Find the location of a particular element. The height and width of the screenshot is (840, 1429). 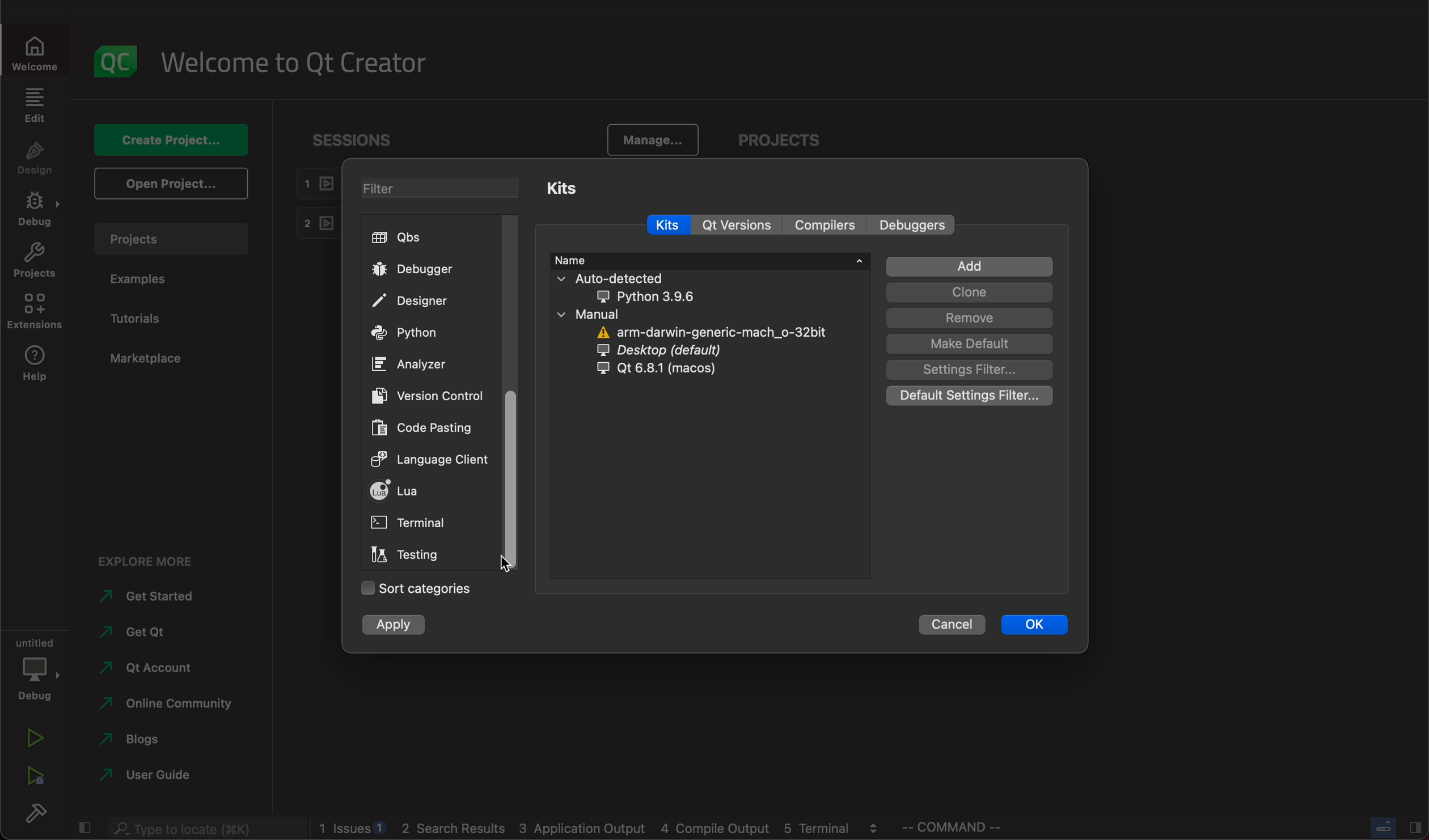

run debug is located at coordinates (32, 779).